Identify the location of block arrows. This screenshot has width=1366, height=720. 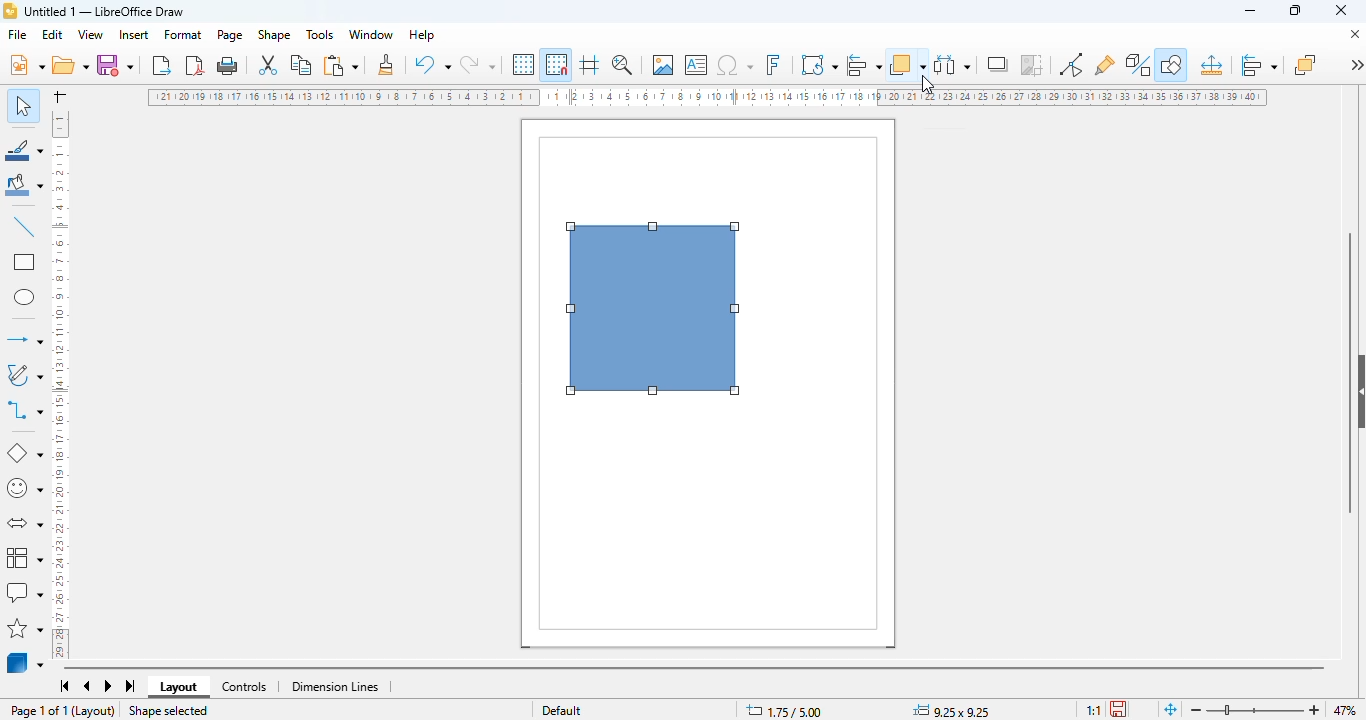
(24, 524).